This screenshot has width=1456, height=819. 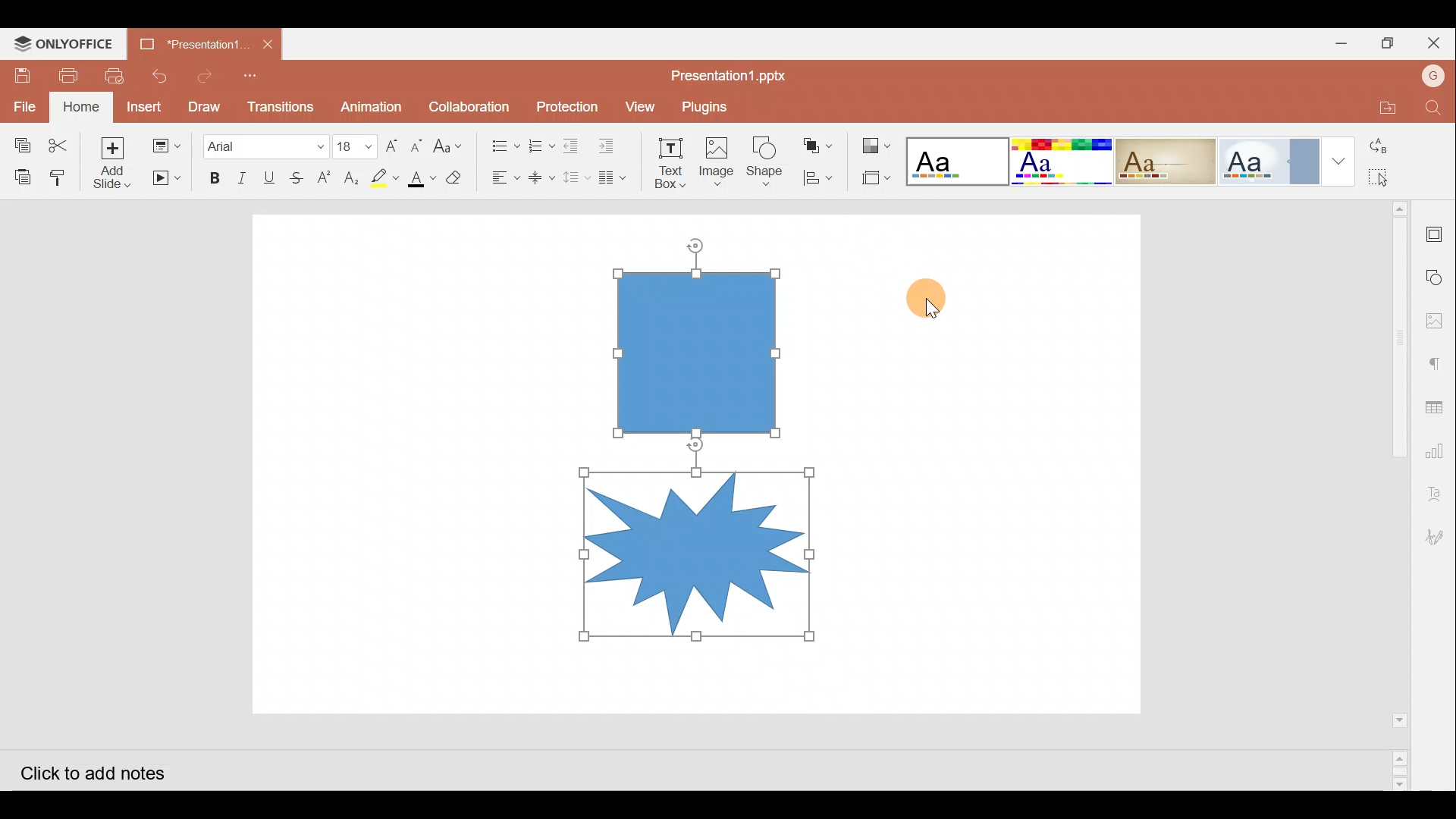 What do you see at coordinates (1437, 497) in the screenshot?
I see `Text Art settings` at bounding box center [1437, 497].